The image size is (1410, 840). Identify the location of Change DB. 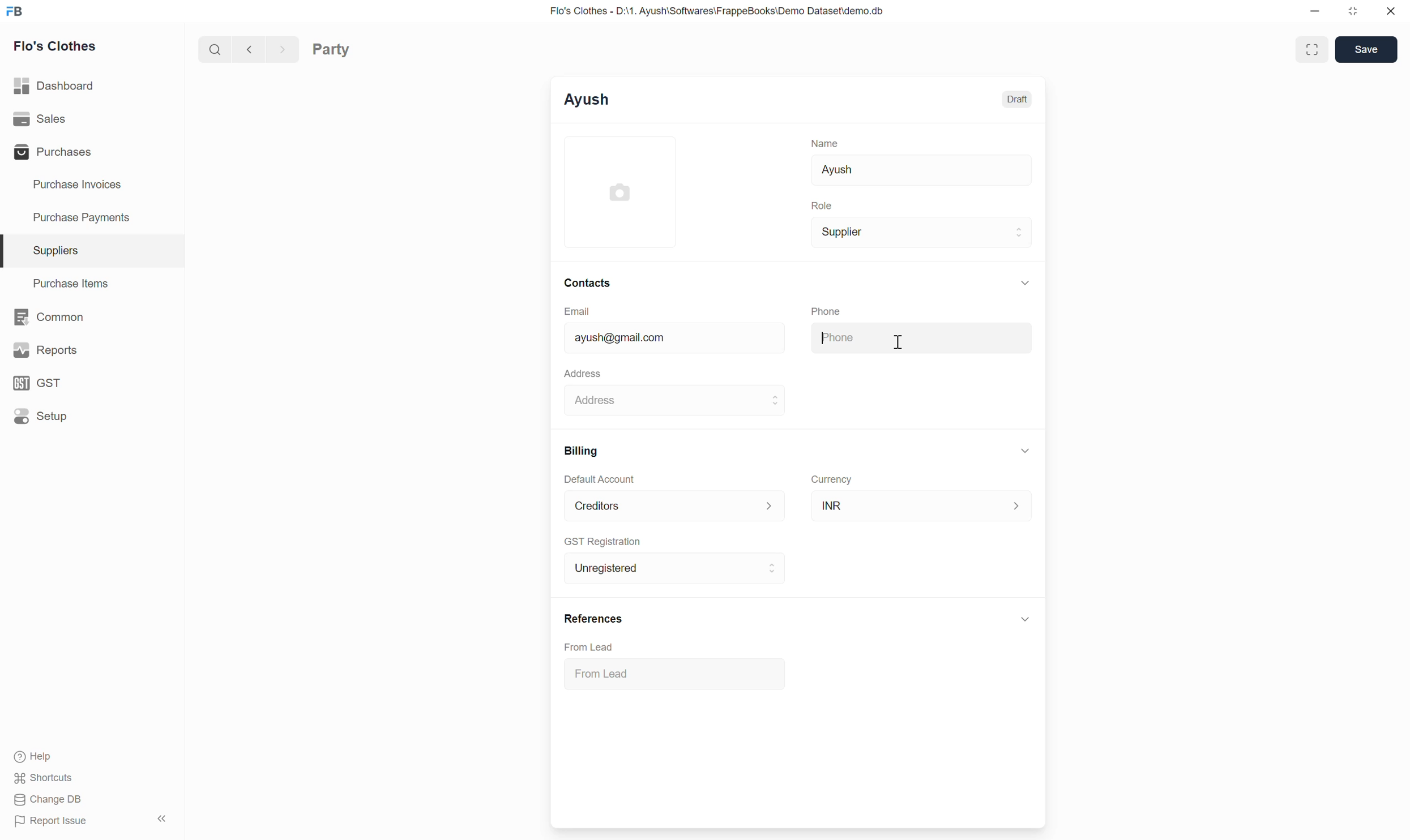
(50, 799).